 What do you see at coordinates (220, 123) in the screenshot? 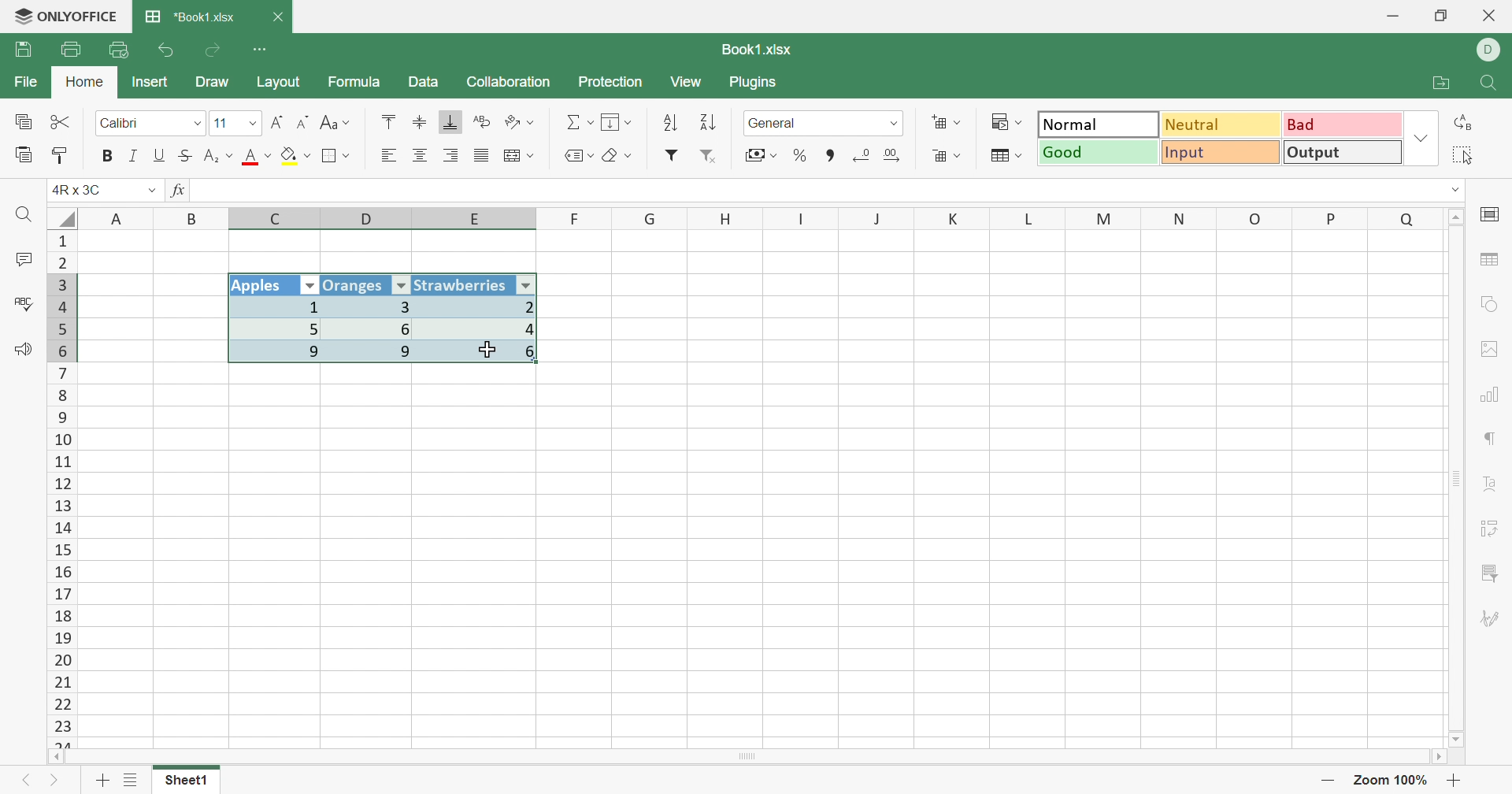
I see `11` at bounding box center [220, 123].